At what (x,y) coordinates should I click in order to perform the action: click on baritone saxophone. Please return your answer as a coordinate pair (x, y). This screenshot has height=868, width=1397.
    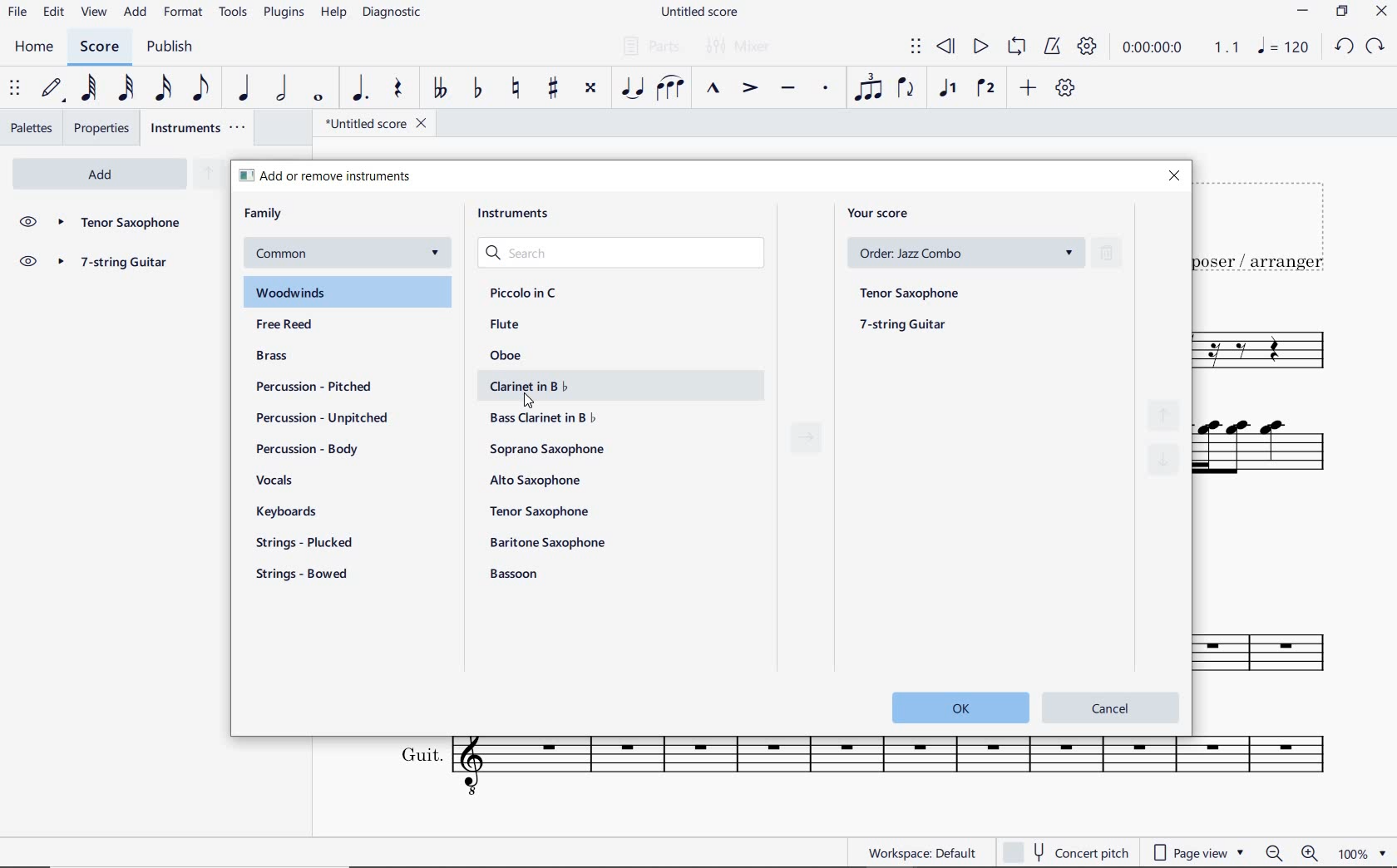
    Looking at the image, I should click on (547, 542).